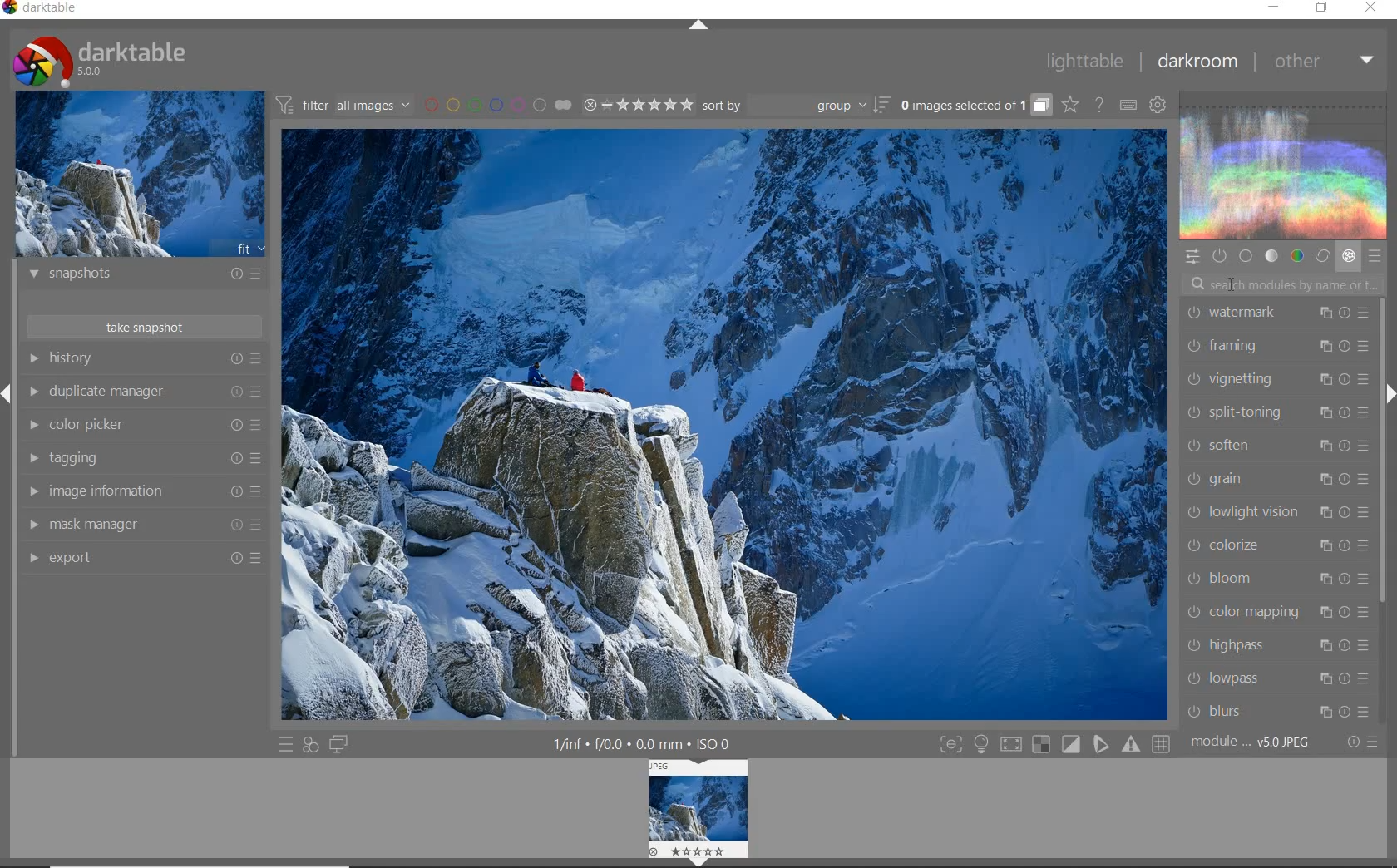 The height and width of the screenshot is (868, 1397). Describe the element at coordinates (1237, 287) in the screenshot. I see `CURSOR` at that location.